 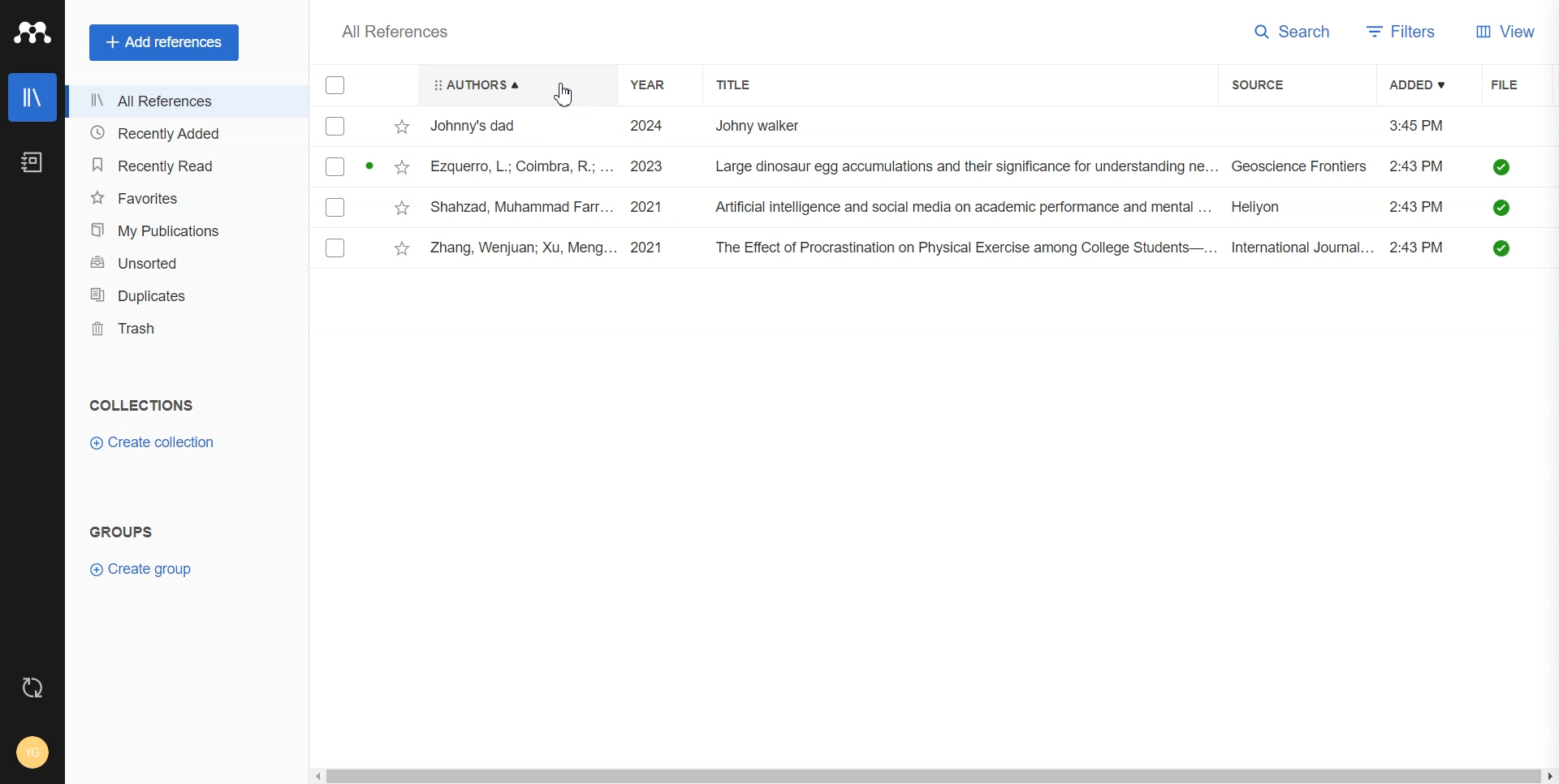 What do you see at coordinates (1419, 248) in the screenshot?
I see `2:43 PM` at bounding box center [1419, 248].